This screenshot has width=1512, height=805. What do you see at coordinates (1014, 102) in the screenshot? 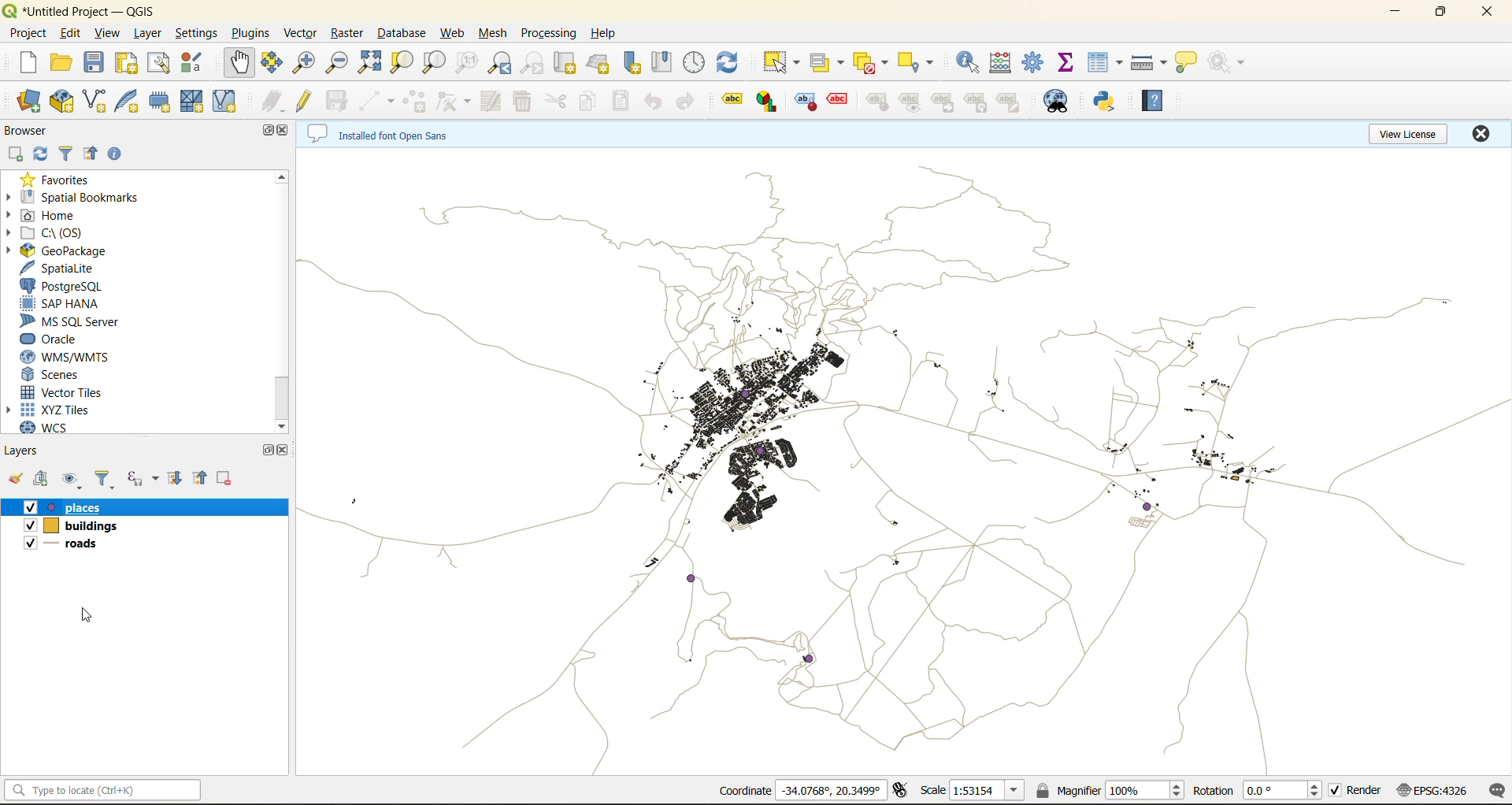
I see `label tool` at bounding box center [1014, 102].